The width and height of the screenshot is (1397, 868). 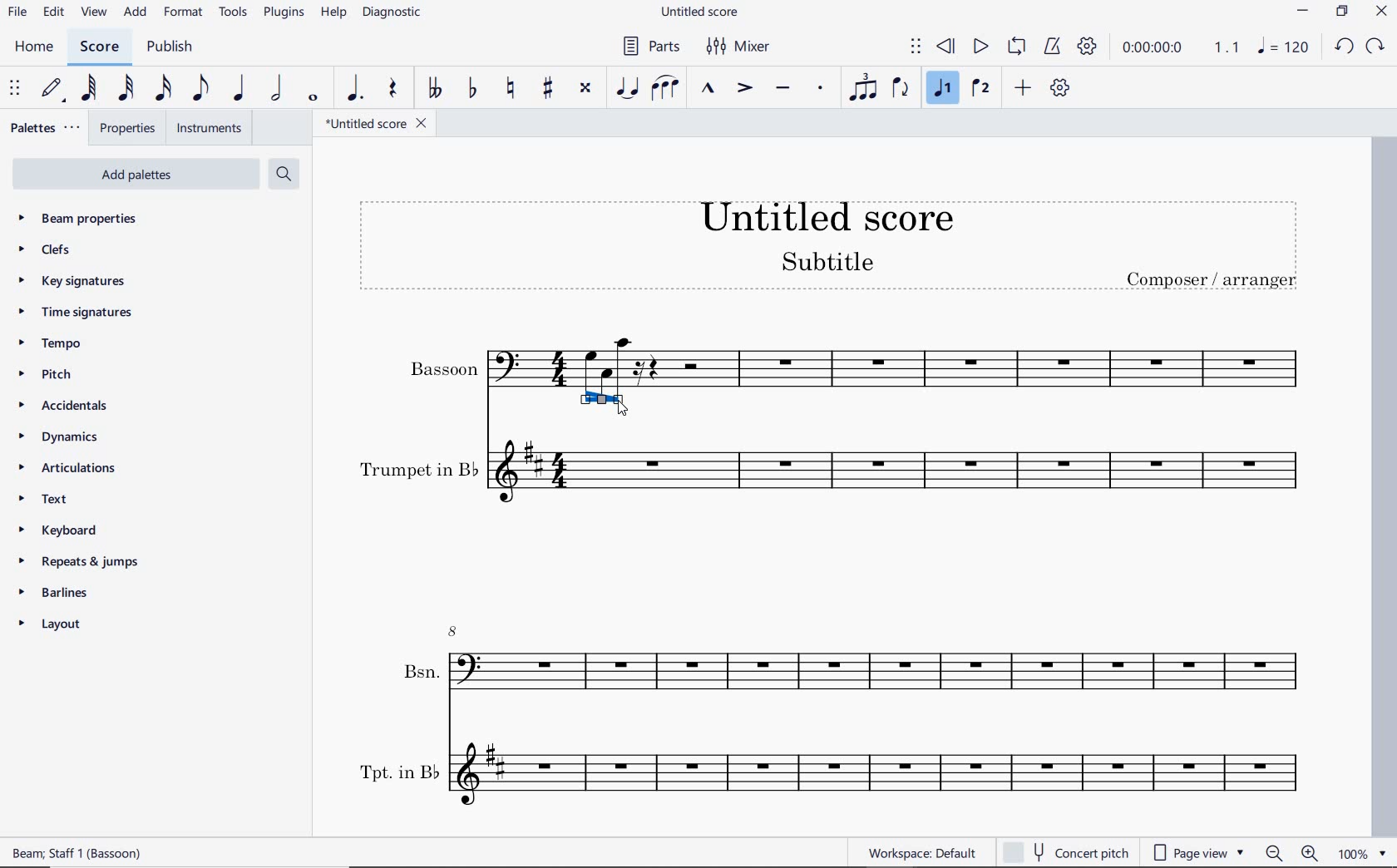 I want to click on CLOSE, so click(x=1382, y=13).